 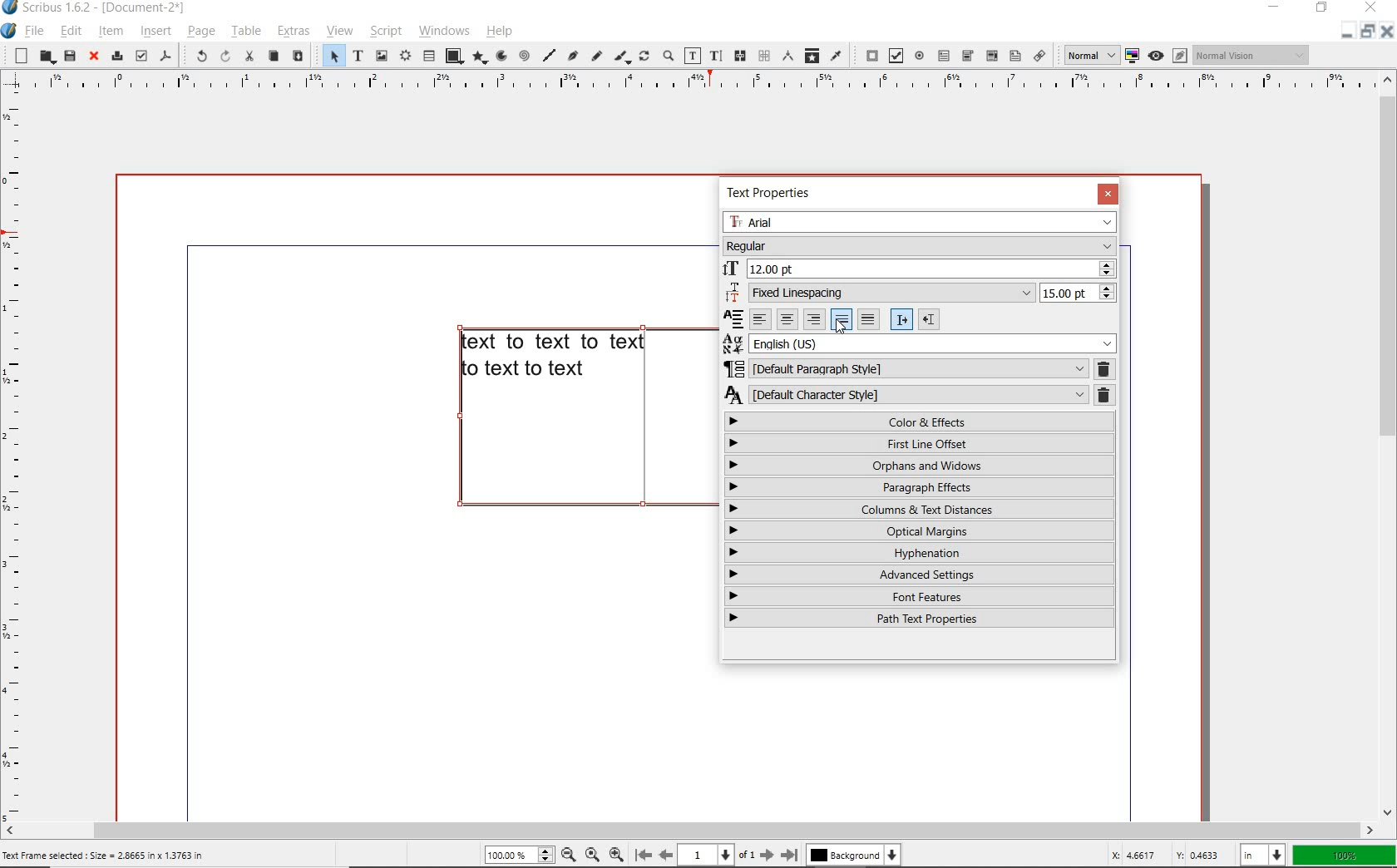 What do you see at coordinates (689, 831) in the screenshot?
I see `scrollbar` at bounding box center [689, 831].